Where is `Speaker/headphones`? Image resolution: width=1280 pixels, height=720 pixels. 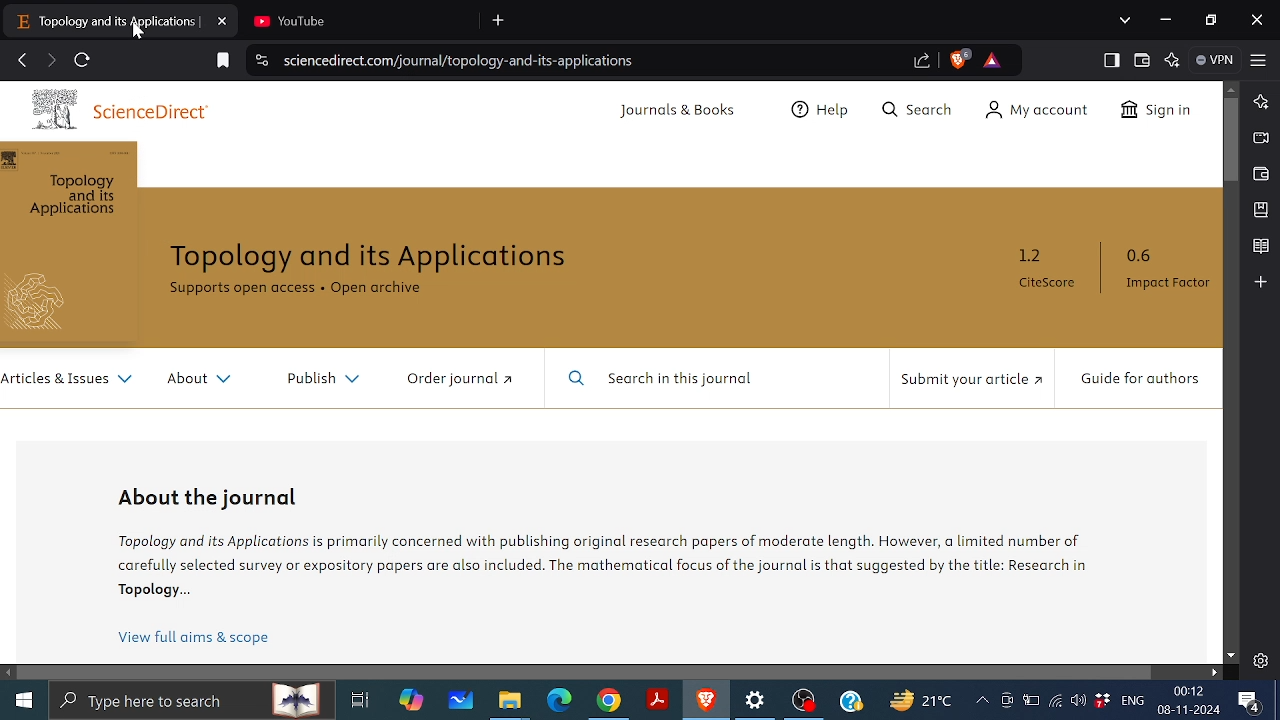 Speaker/headphones is located at coordinates (1078, 699).